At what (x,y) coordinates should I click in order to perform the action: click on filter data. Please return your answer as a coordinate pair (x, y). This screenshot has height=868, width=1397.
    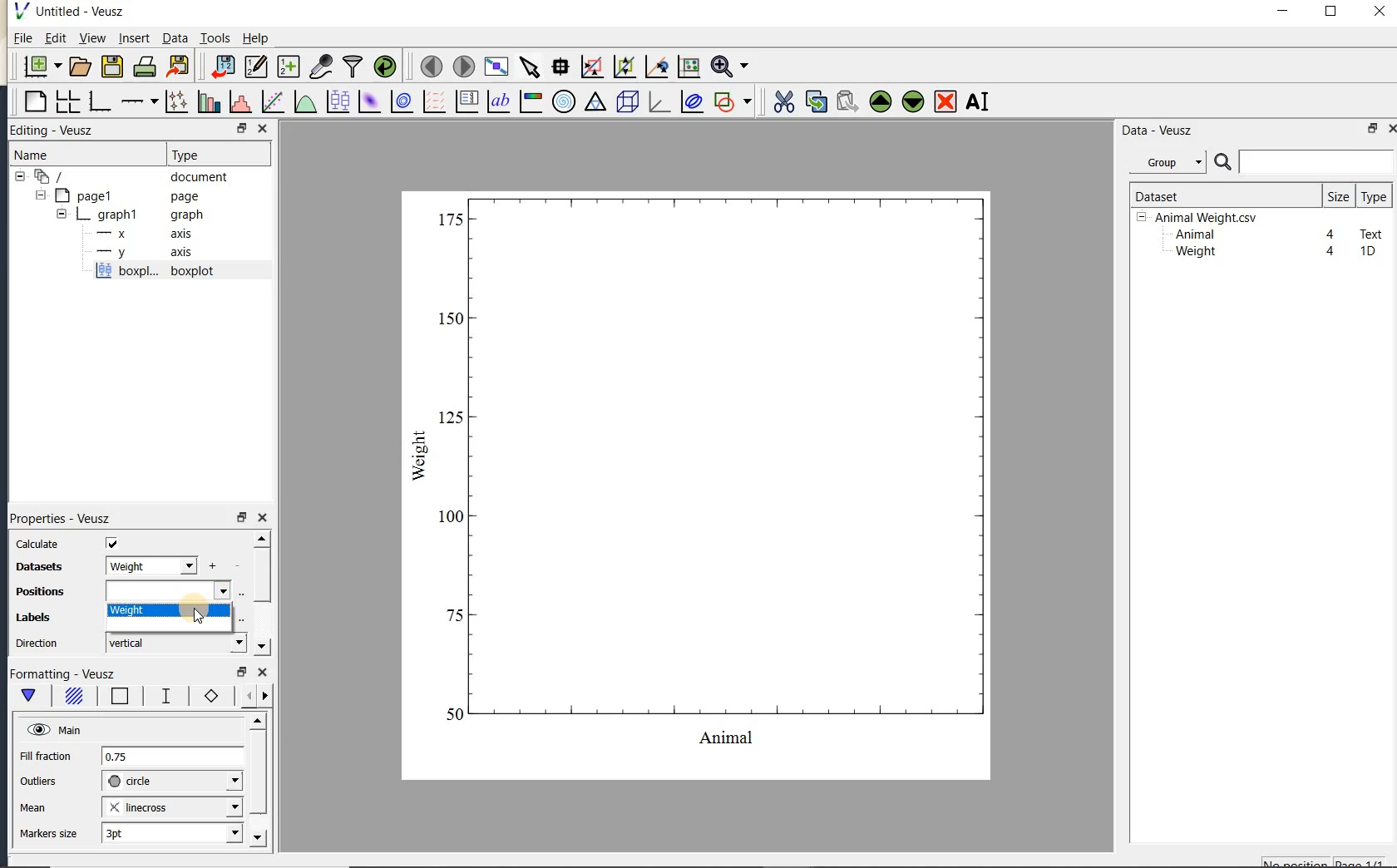
    Looking at the image, I should click on (353, 65).